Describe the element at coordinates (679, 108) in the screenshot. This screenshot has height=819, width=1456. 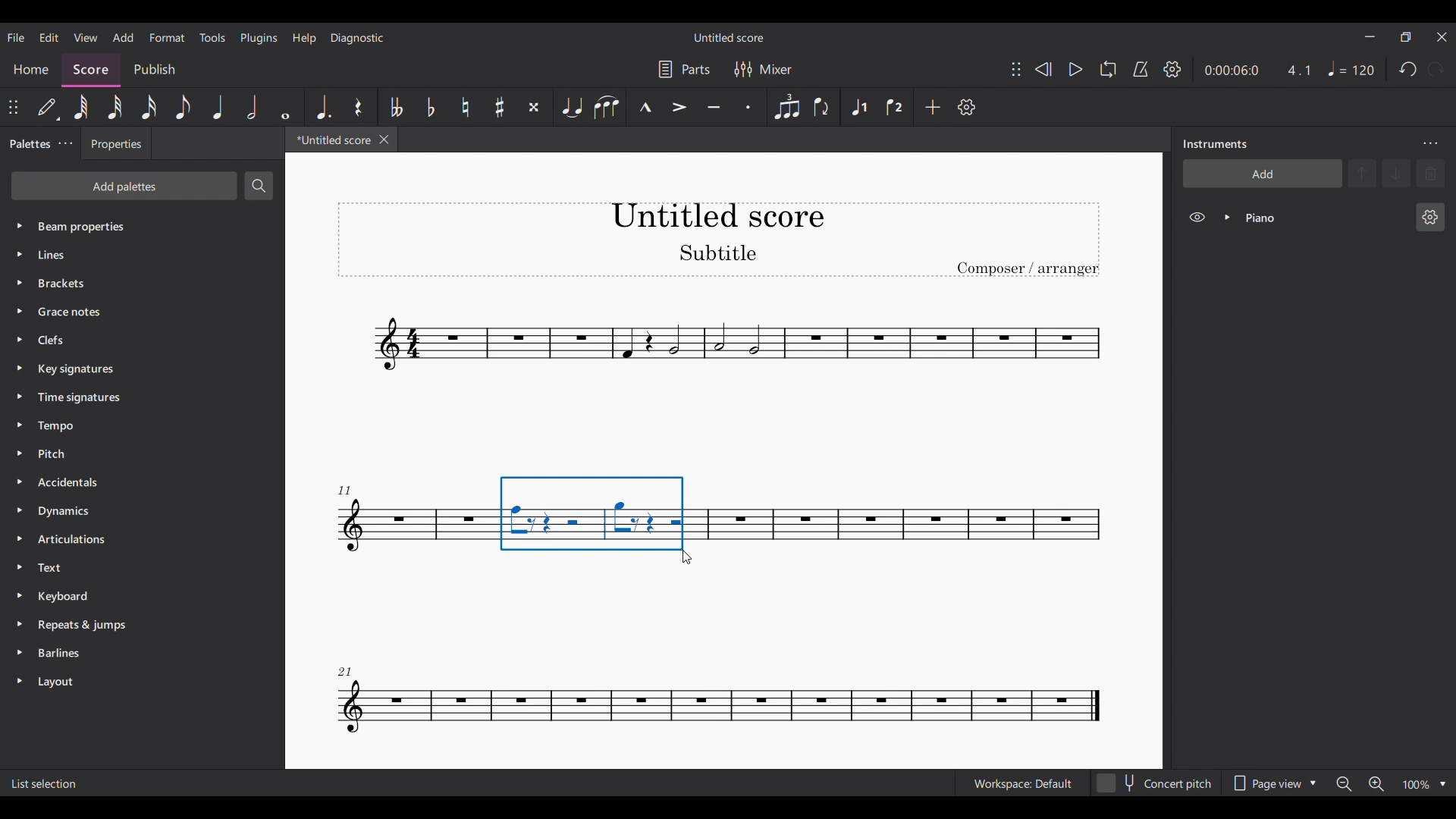
I see `Accent` at that location.